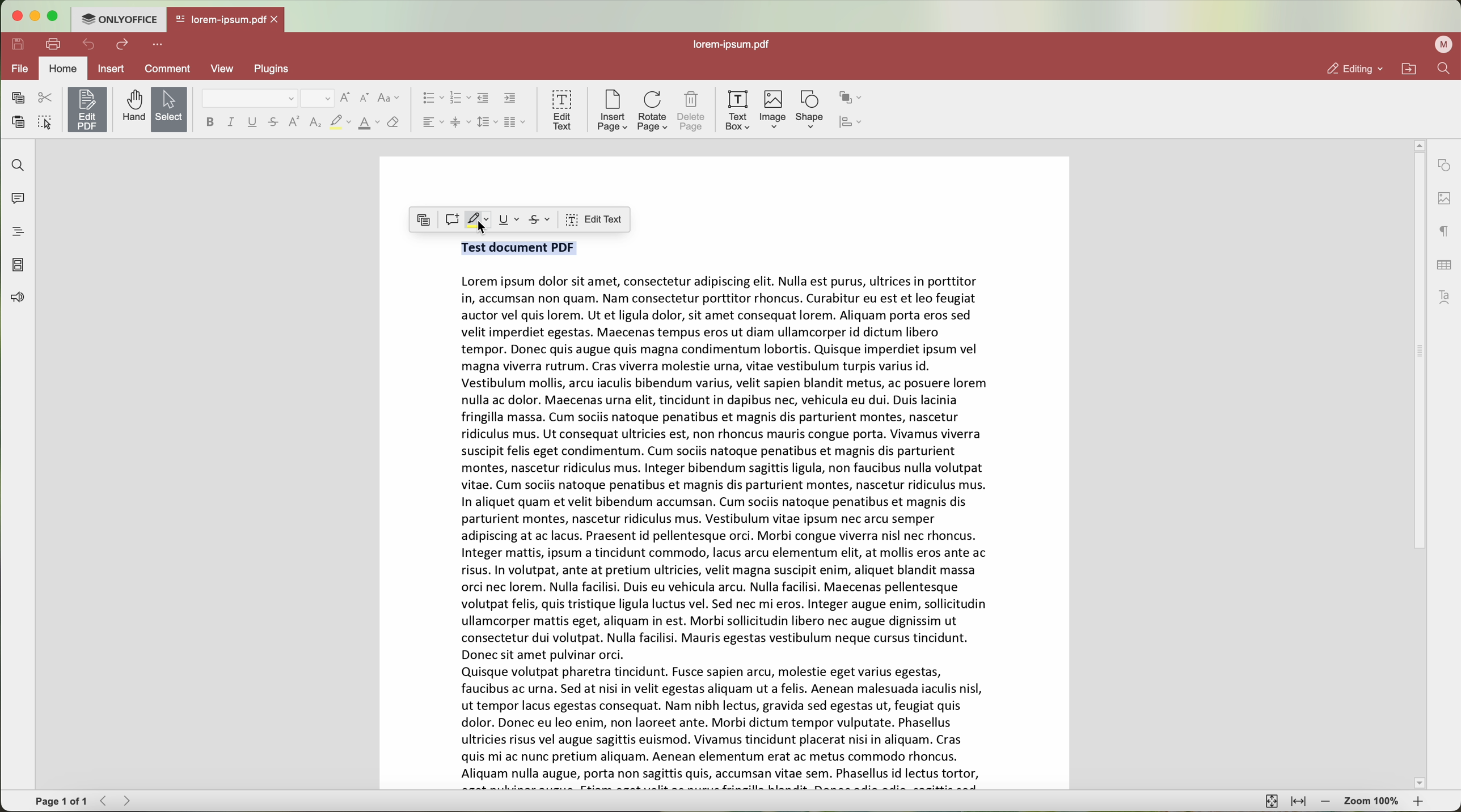  What do you see at coordinates (367, 122) in the screenshot?
I see `font color` at bounding box center [367, 122].